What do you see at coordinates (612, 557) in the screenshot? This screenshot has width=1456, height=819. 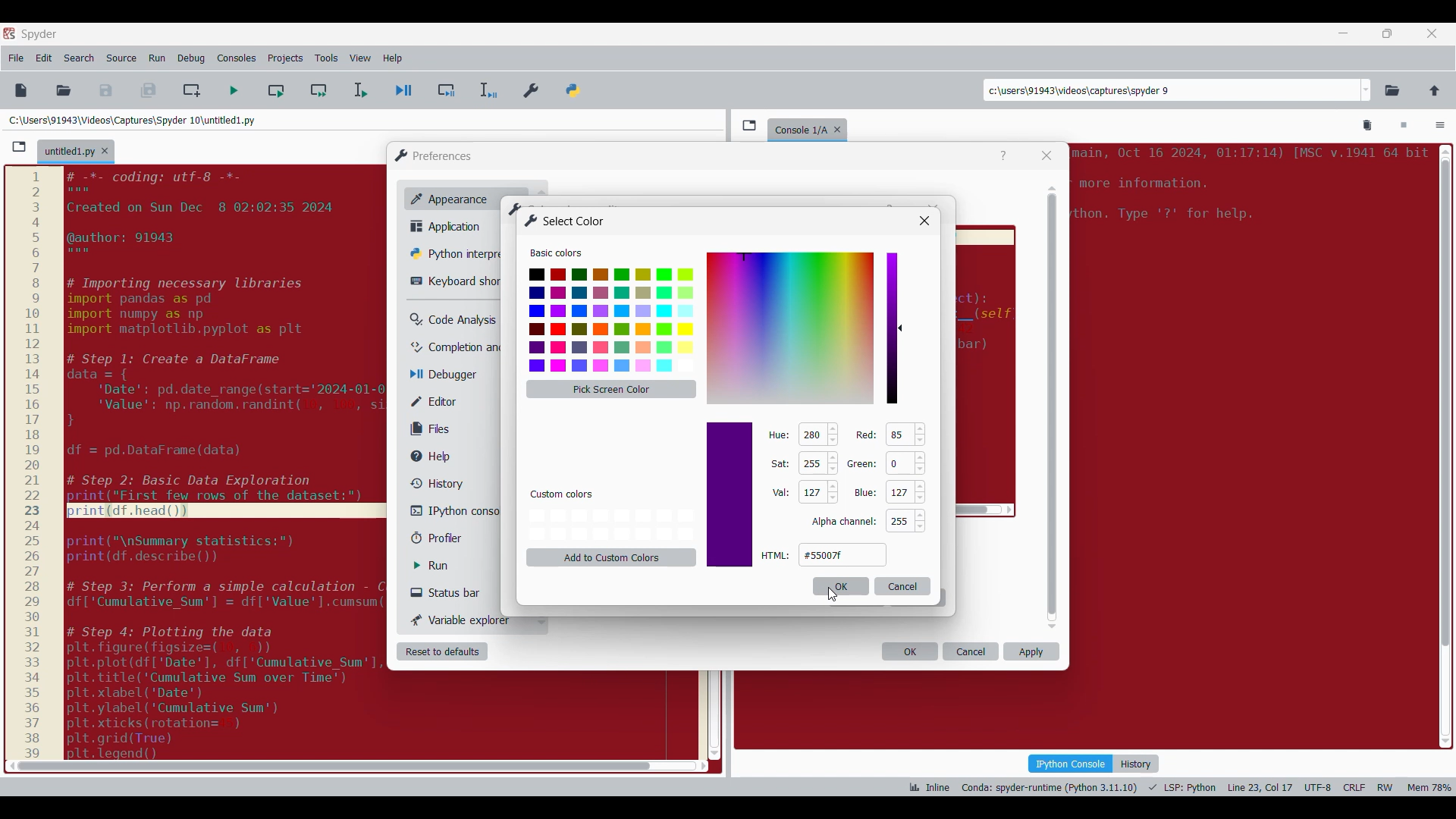 I see `Add to custom colors` at bounding box center [612, 557].